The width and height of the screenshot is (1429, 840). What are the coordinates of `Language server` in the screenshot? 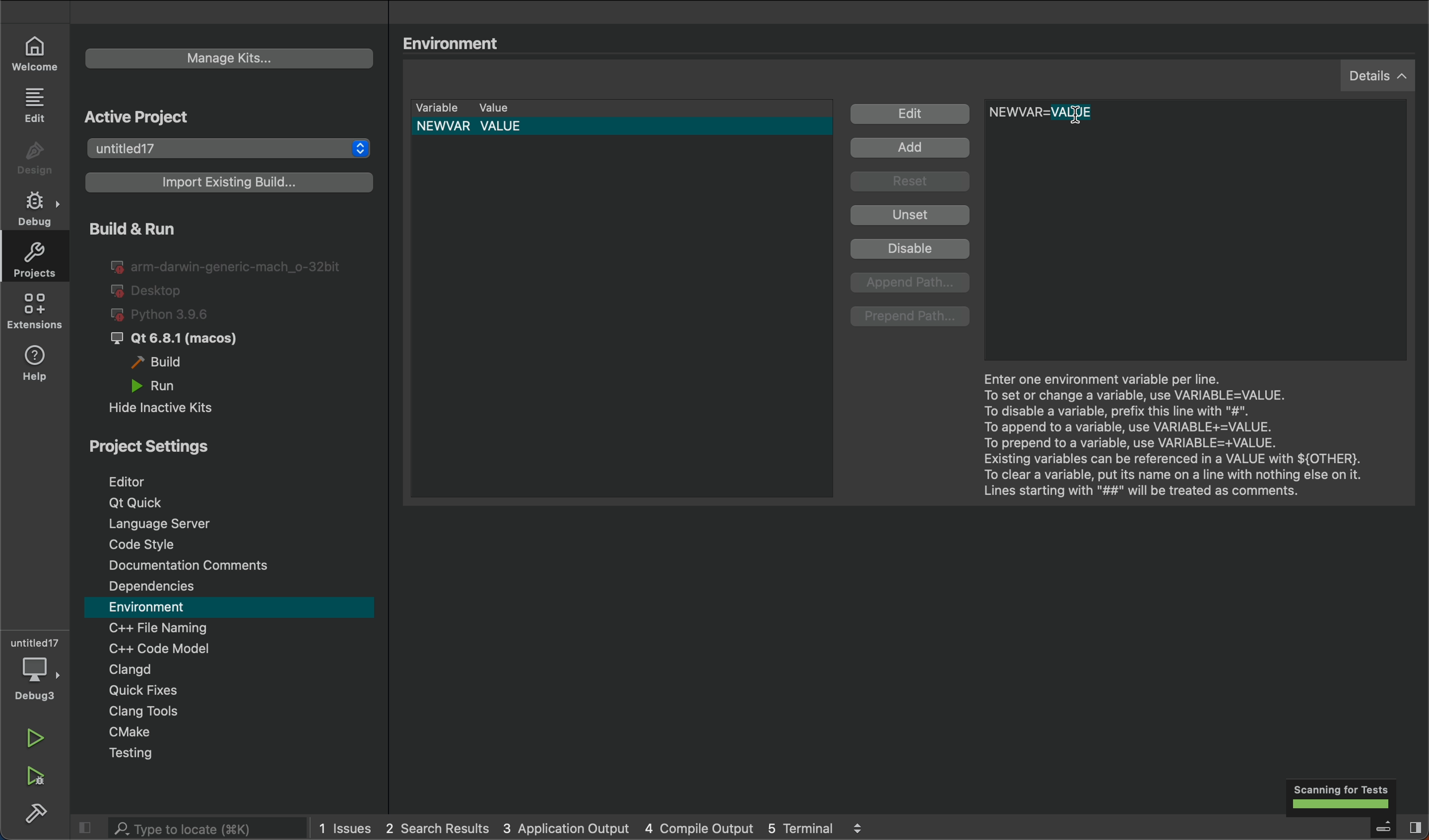 It's located at (232, 523).